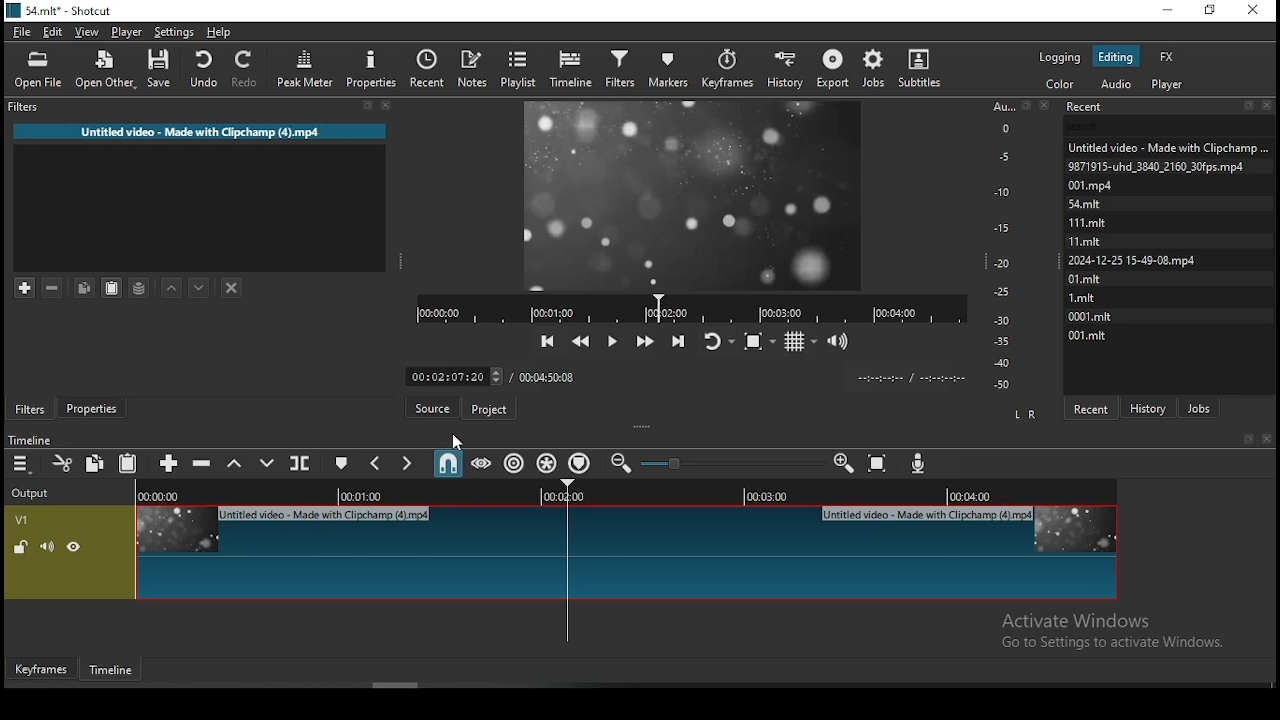 The width and height of the screenshot is (1280, 720). I want to click on history, so click(1151, 407).